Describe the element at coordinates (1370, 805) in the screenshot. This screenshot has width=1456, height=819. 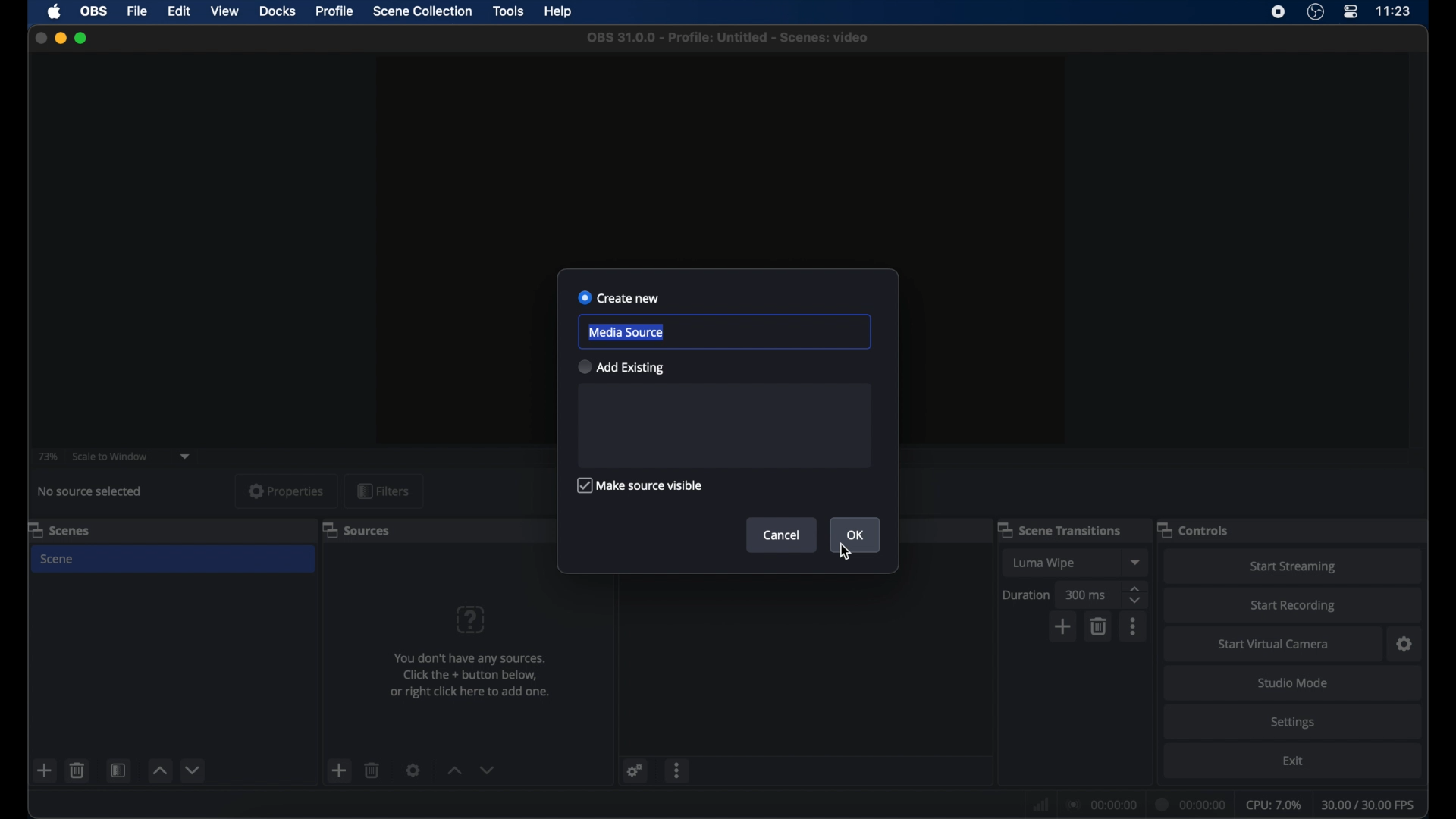
I see `fps` at that location.